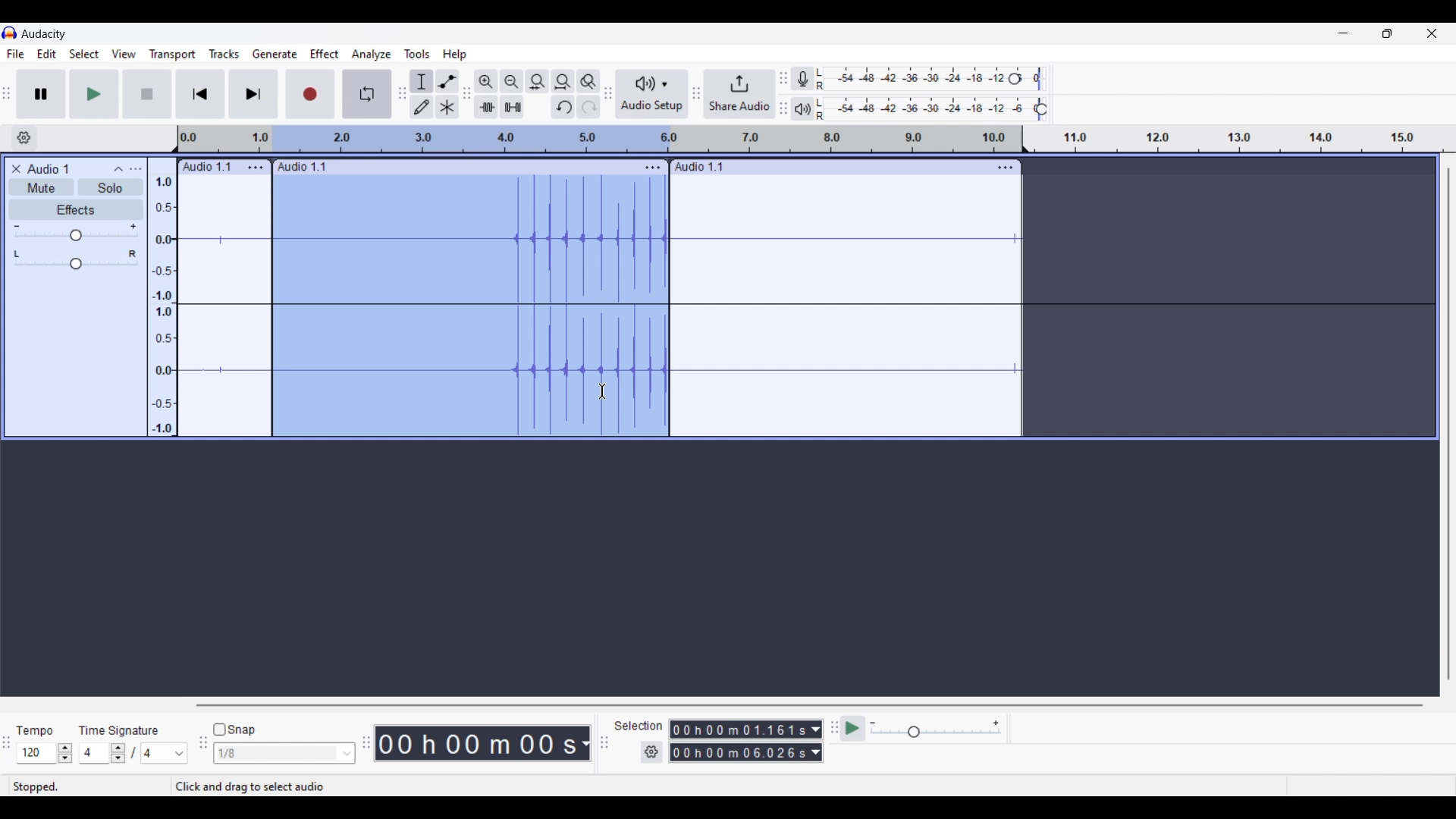  I want to click on Gain, so click(76, 235).